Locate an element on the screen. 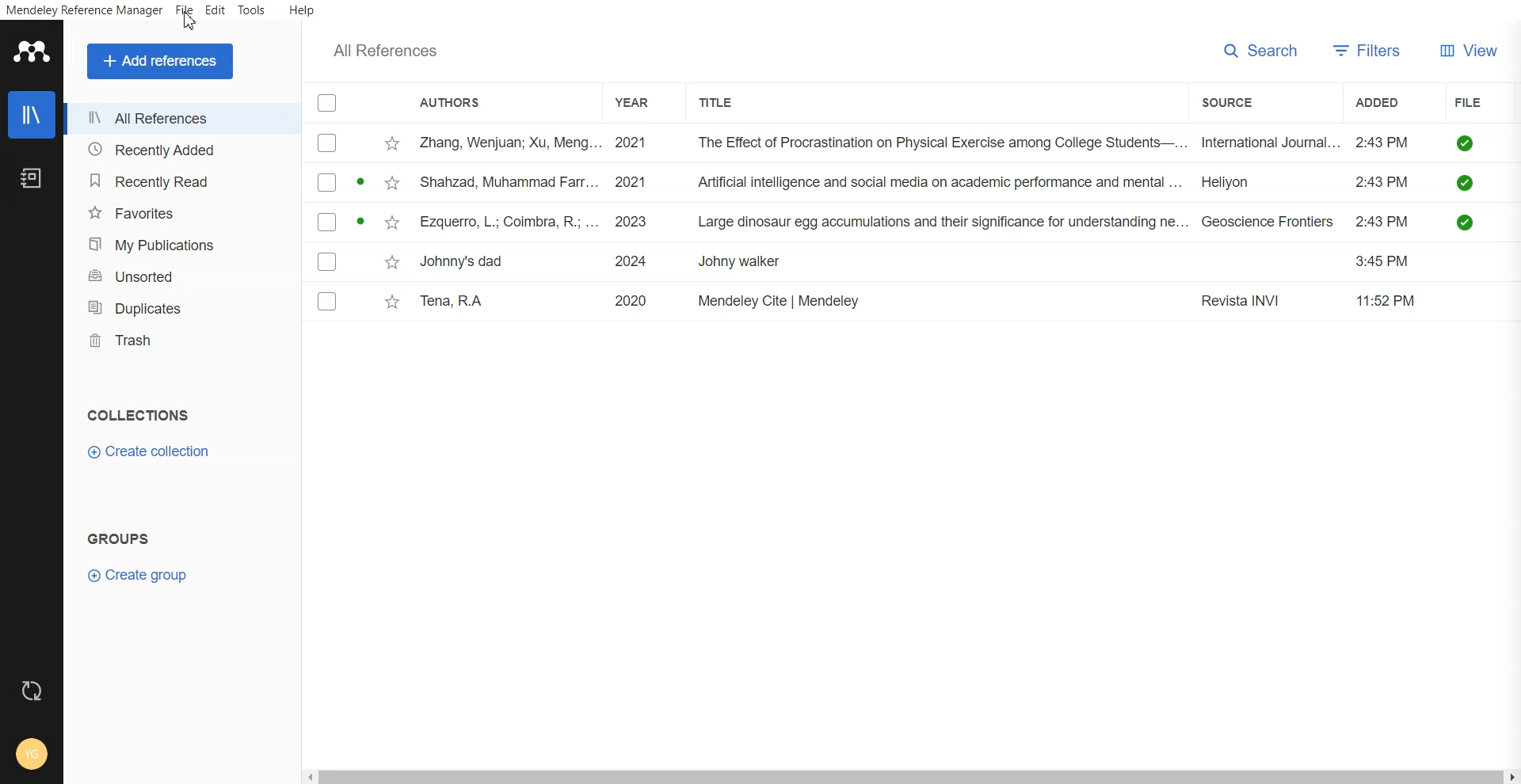  Horizontal scroll bar is located at coordinates (912, 776).